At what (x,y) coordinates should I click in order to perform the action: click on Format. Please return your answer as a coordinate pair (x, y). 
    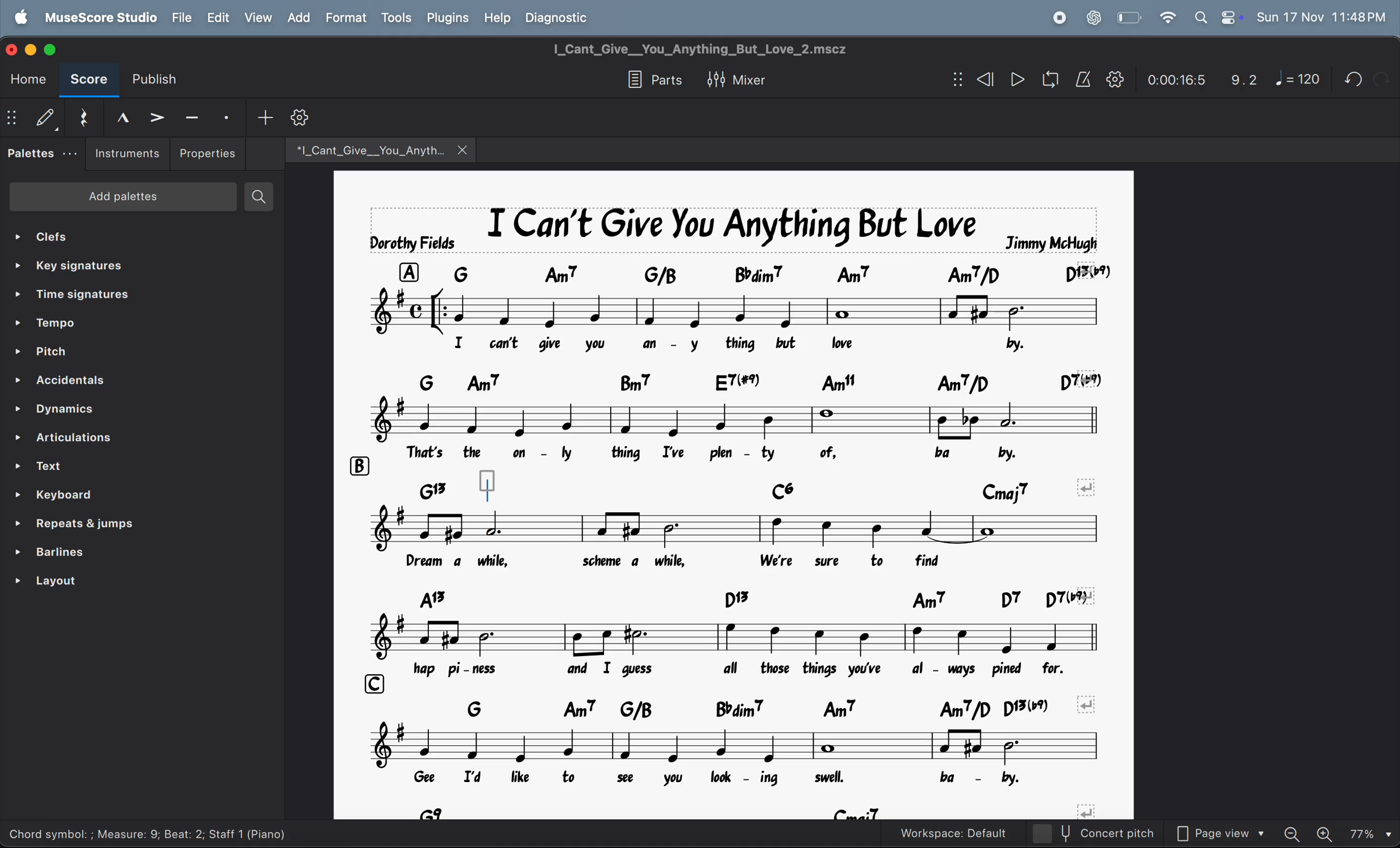
    Looking at the image, I should click on (348, 16).